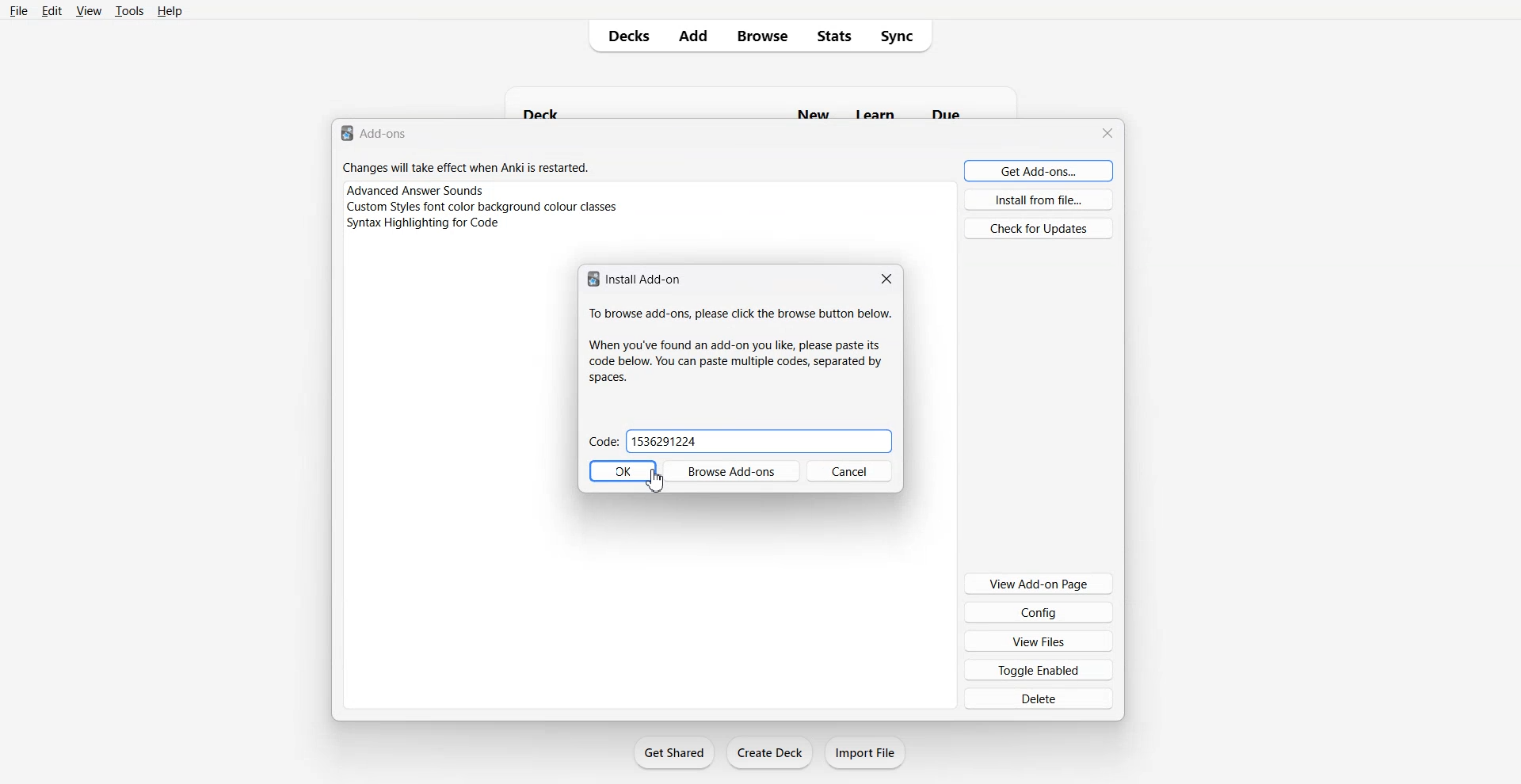 The width and height of the screenshot is (1521, 784). I want to click on View, so click(87, 10).